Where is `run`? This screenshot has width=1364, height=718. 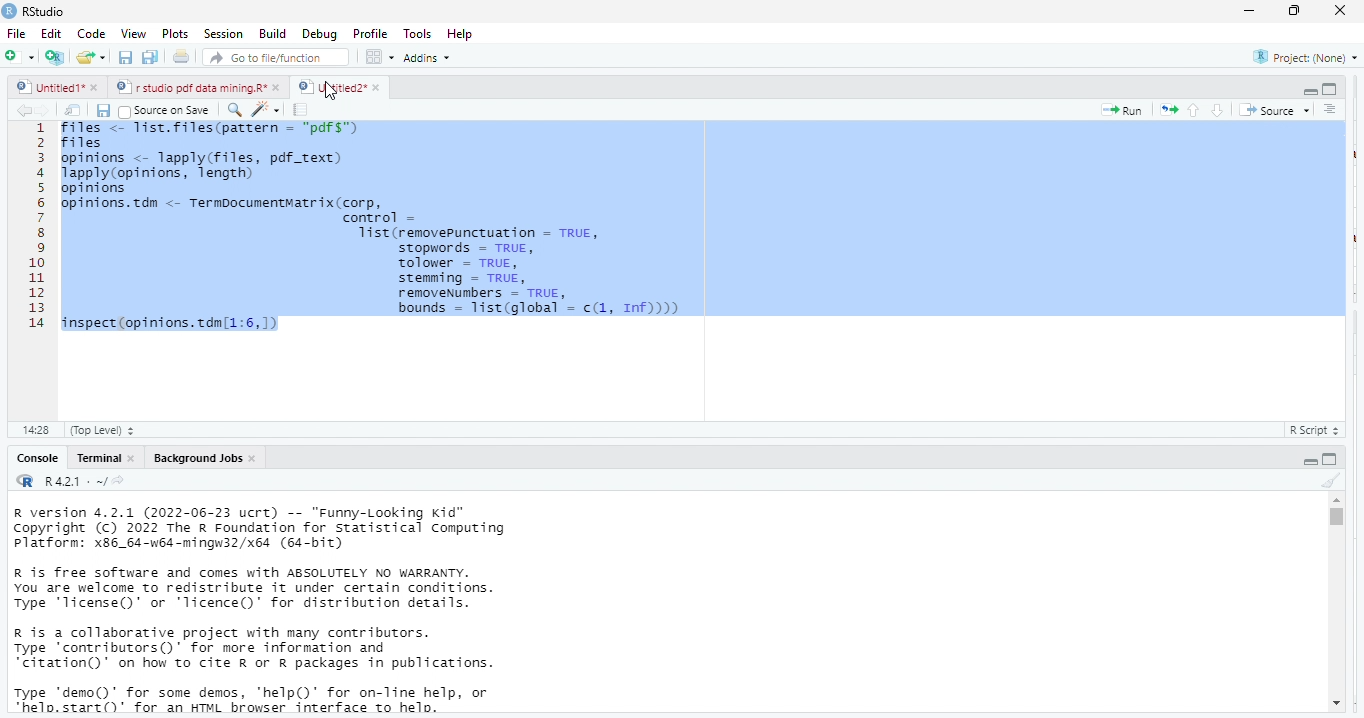 run is located at coordinates (1122, 110).